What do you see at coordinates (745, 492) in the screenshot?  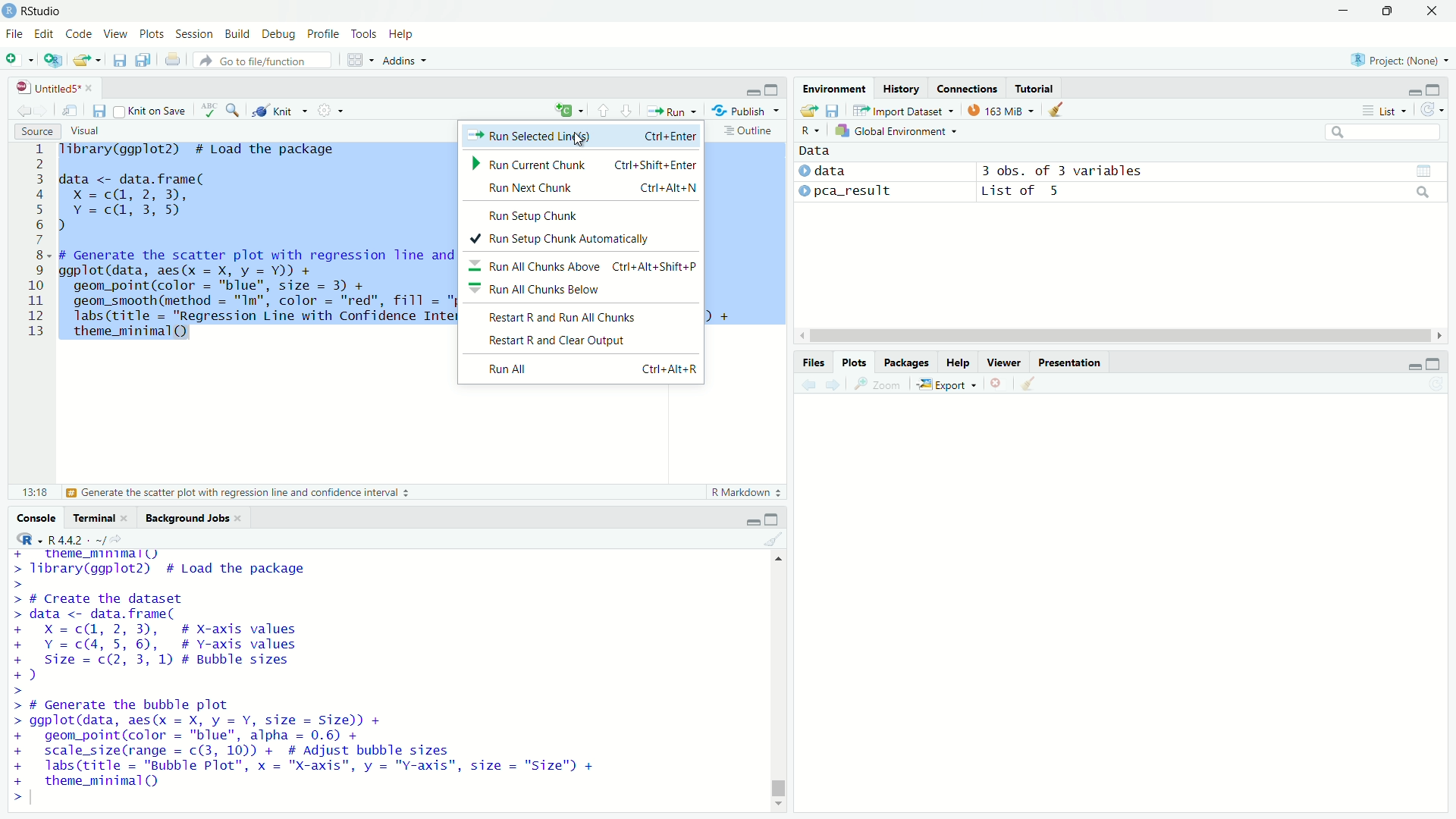 I see `R Markdown` at bounding box center [745, 492].